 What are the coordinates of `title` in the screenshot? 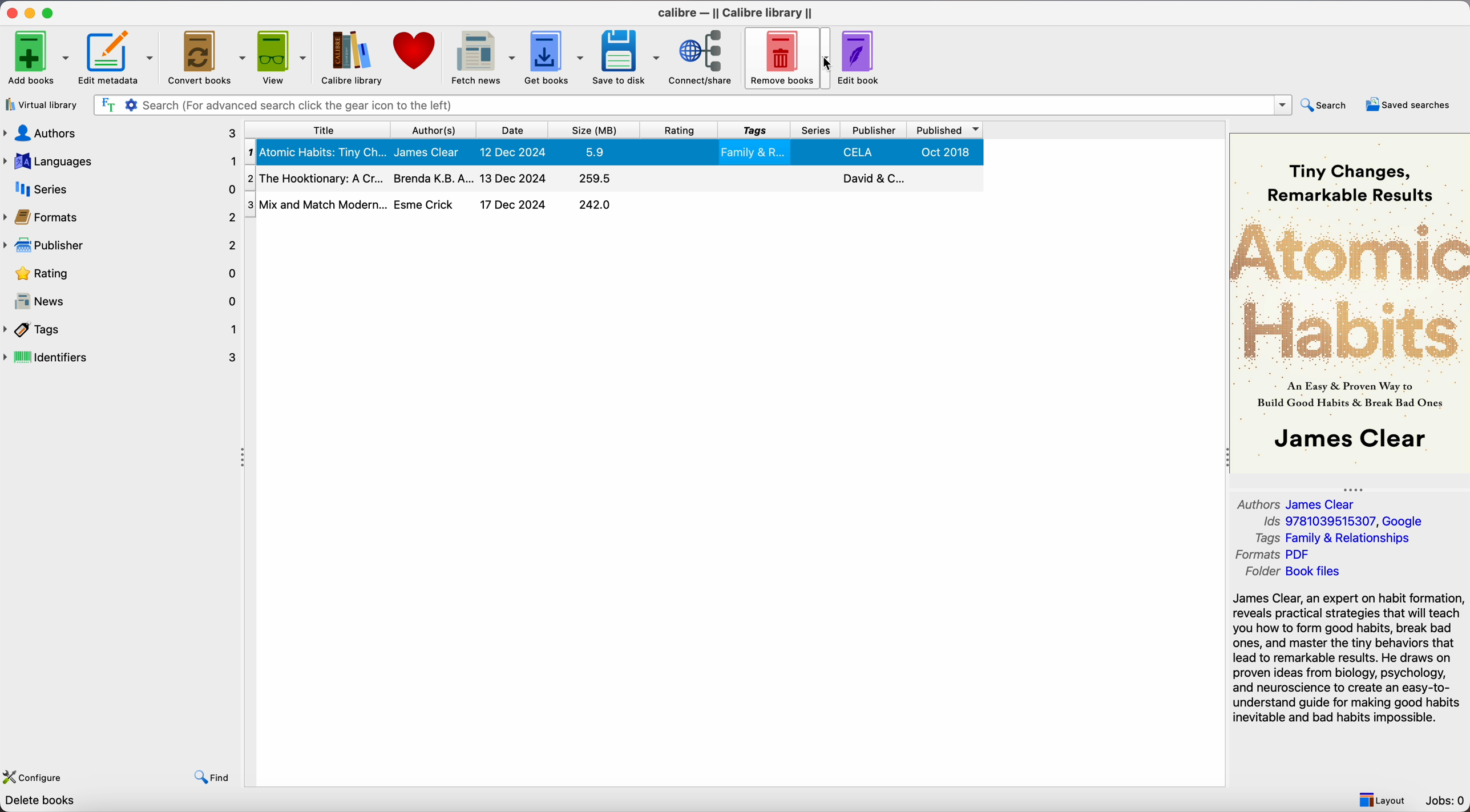 It's located at (315, 129).